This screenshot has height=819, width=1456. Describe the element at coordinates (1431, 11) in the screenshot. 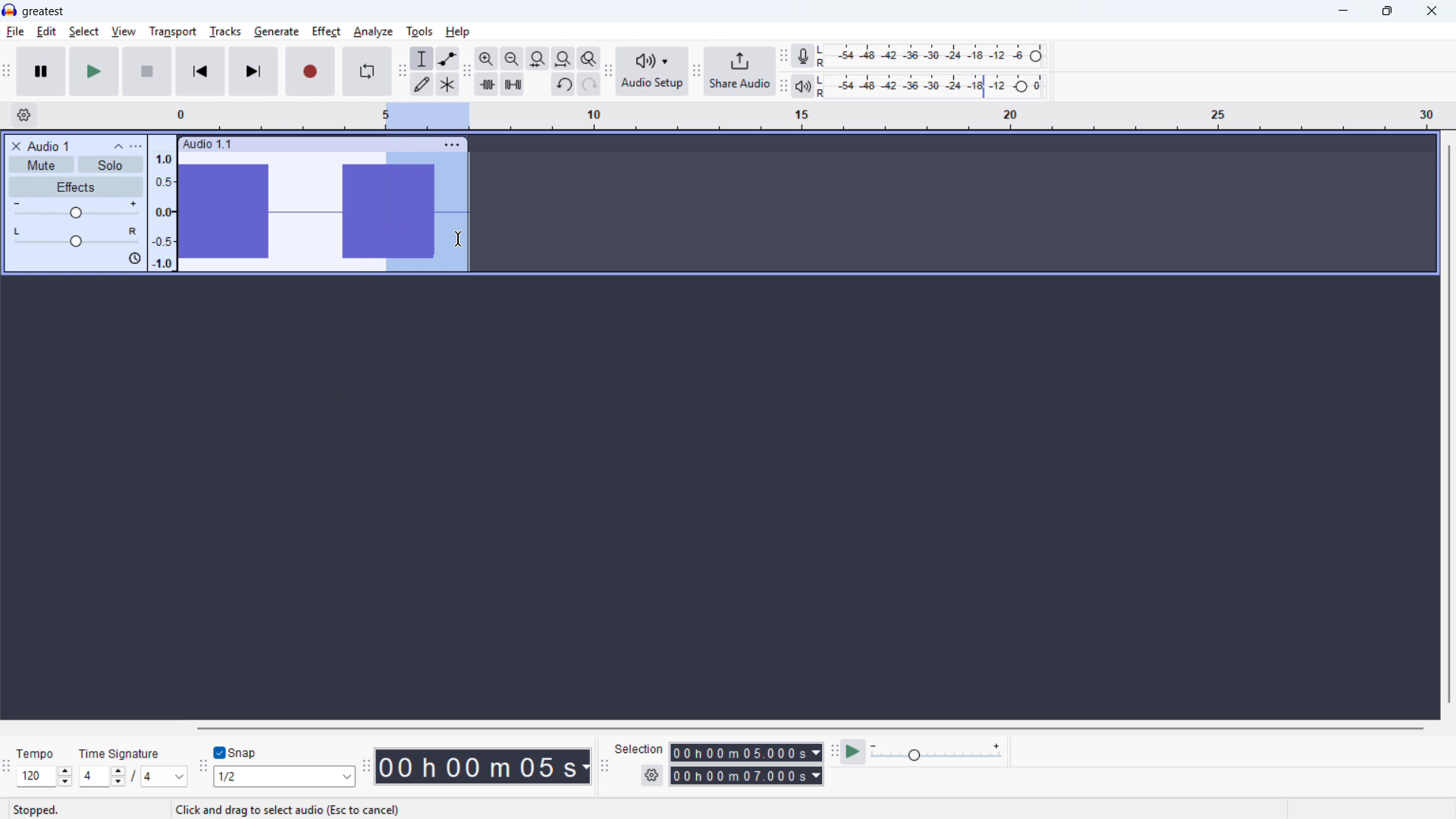

I see `close ` at that location.